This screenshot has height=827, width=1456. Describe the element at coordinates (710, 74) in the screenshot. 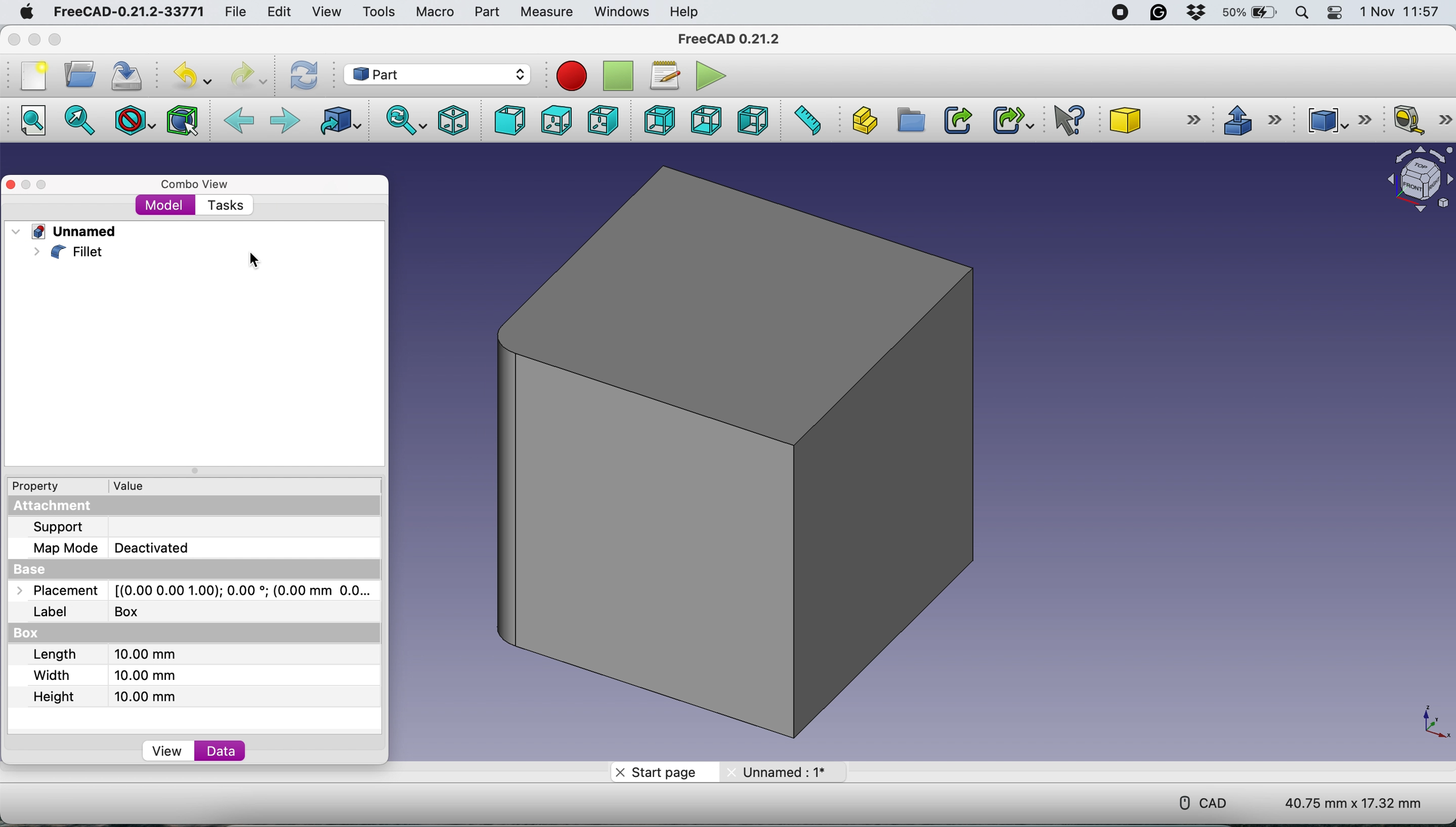

I see `execute macros` at that location.